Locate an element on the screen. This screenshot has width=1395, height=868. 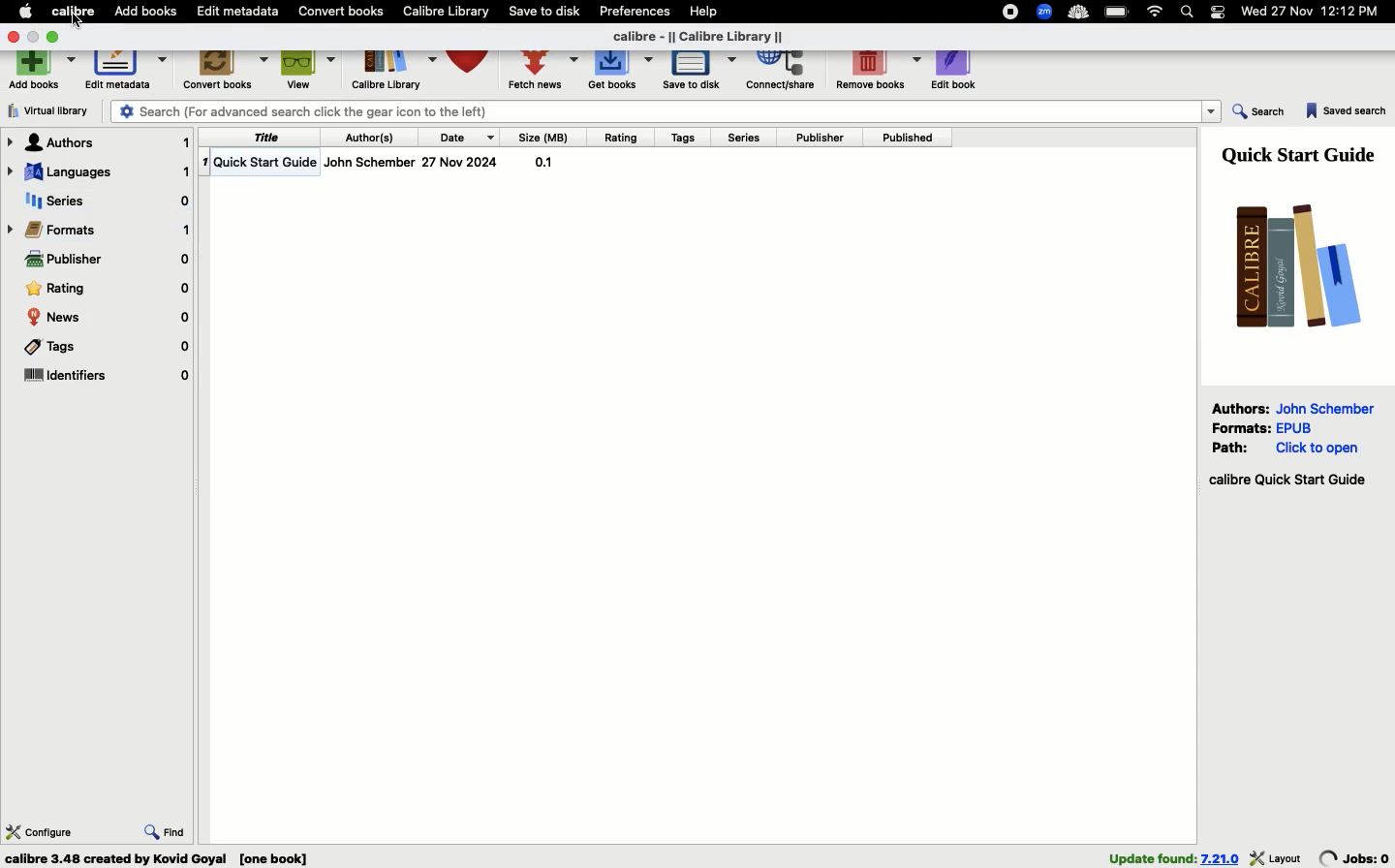
Library is located at coordinates (471, 74).